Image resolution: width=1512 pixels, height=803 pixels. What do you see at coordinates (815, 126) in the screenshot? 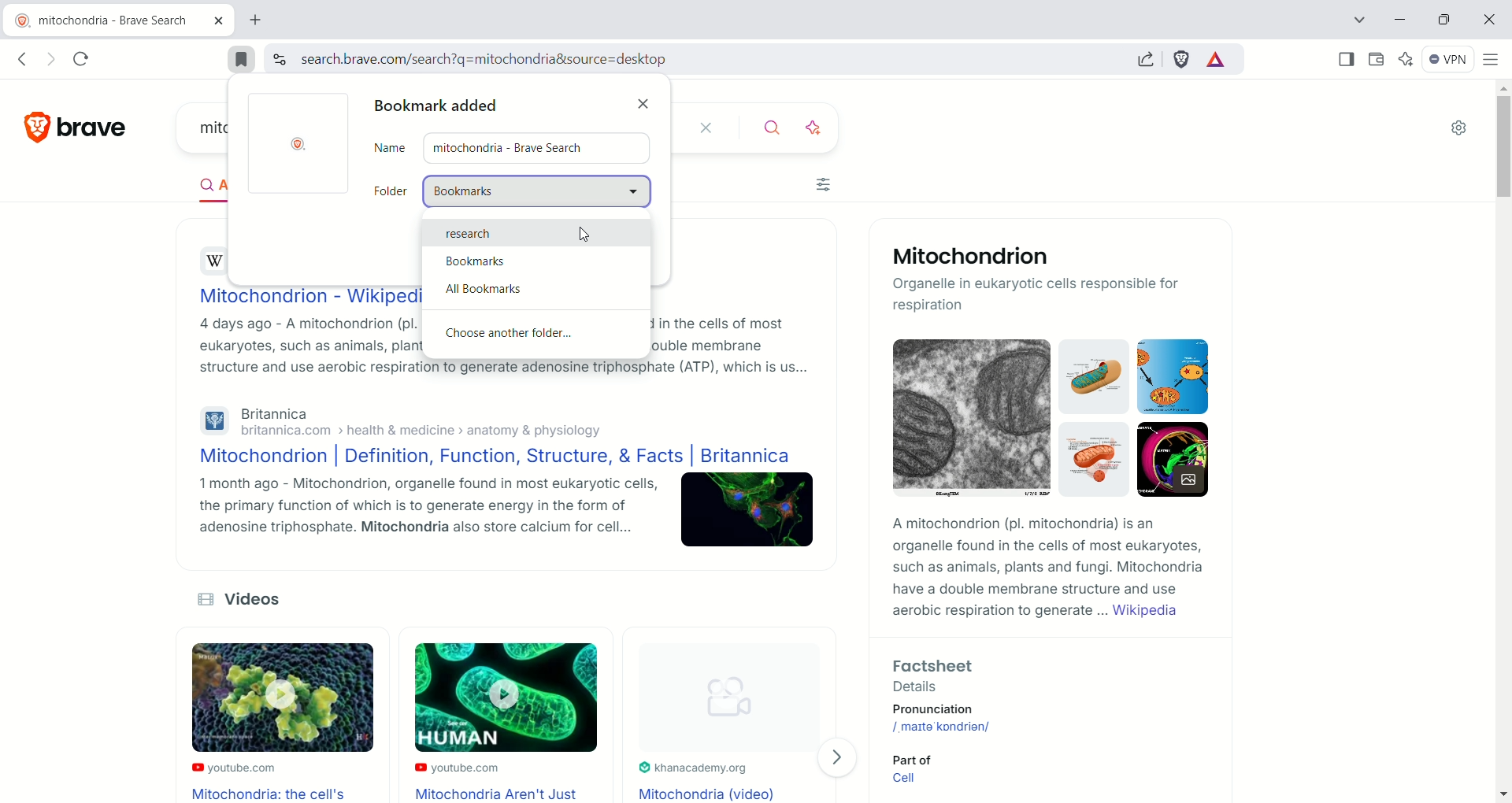
I see `ask AI` at bounding box center [815, 126].